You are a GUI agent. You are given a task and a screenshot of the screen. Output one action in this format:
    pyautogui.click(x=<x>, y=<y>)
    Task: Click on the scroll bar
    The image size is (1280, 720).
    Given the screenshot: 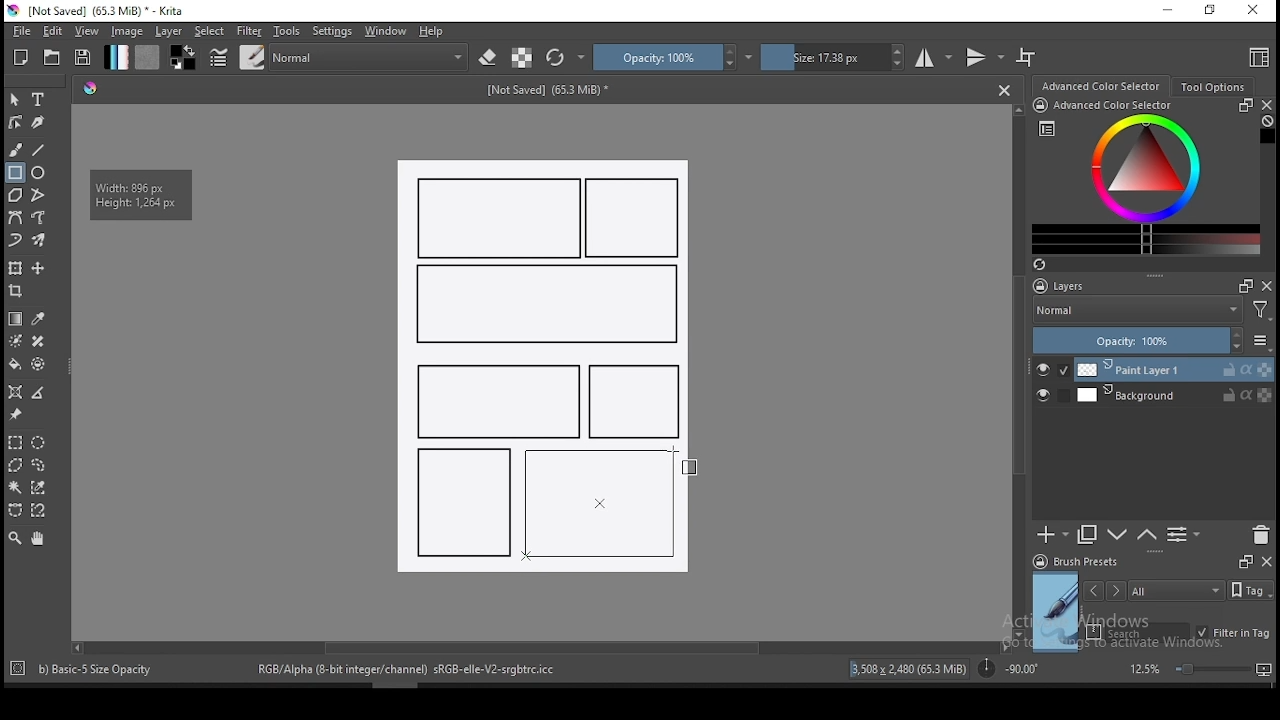 What is the action you would take?
    pyautogui.click(x=539, y=646)
    